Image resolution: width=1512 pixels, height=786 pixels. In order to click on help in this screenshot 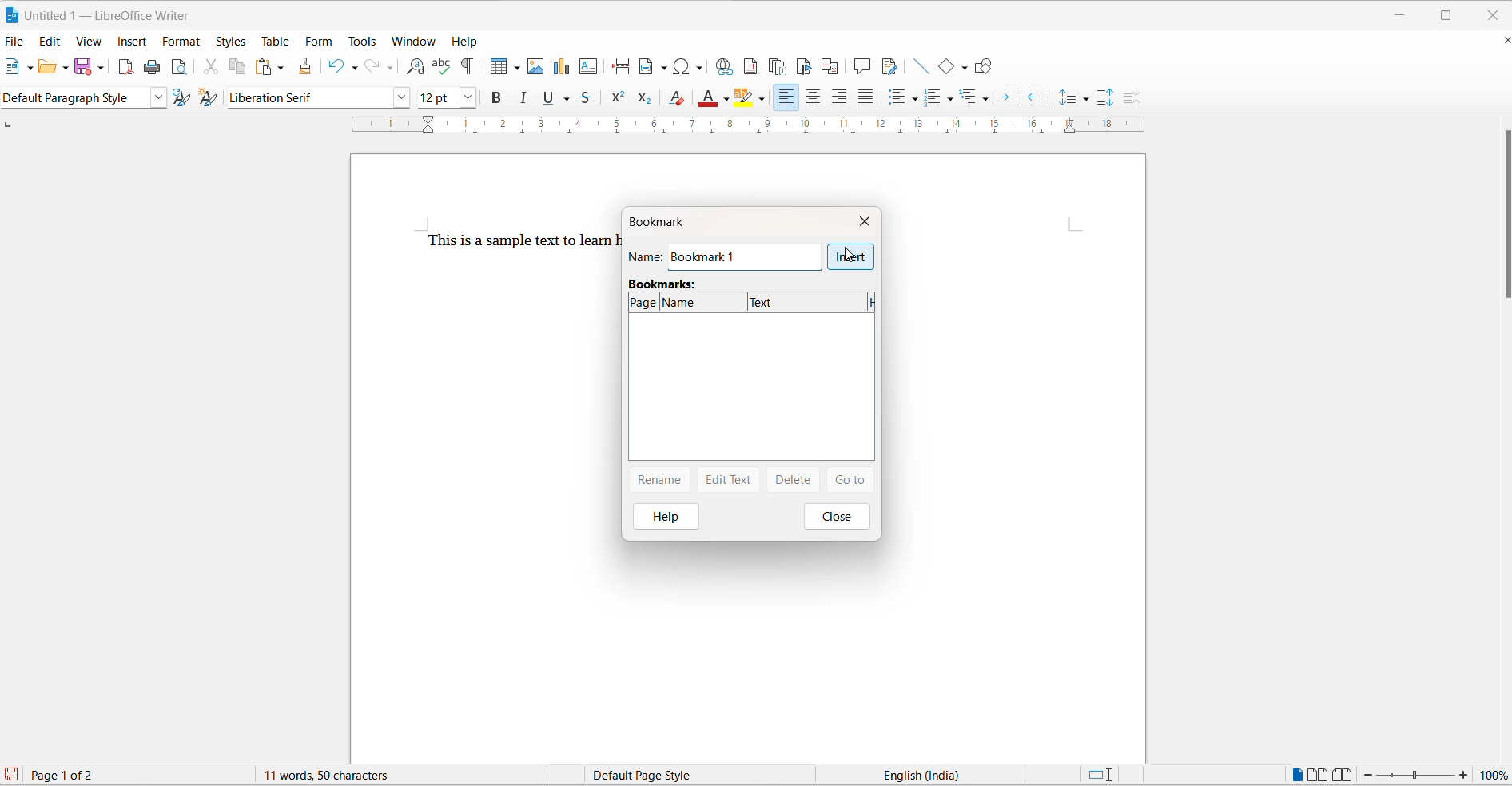, I will do `click(468, 42)`.